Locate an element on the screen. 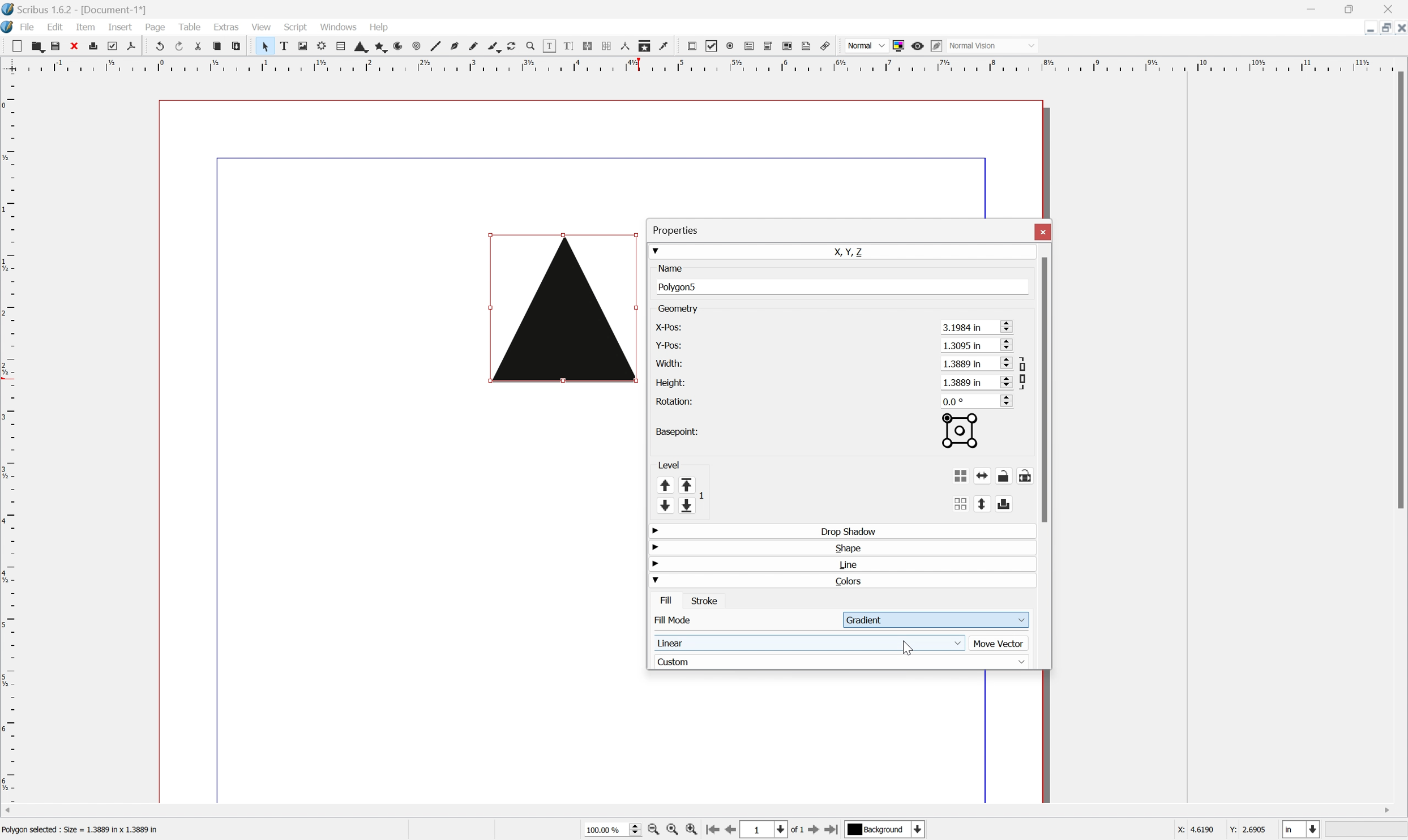 The width and height of the screenshot is (1408, 840). 1.3095 in is located at coordinates (978, 346).